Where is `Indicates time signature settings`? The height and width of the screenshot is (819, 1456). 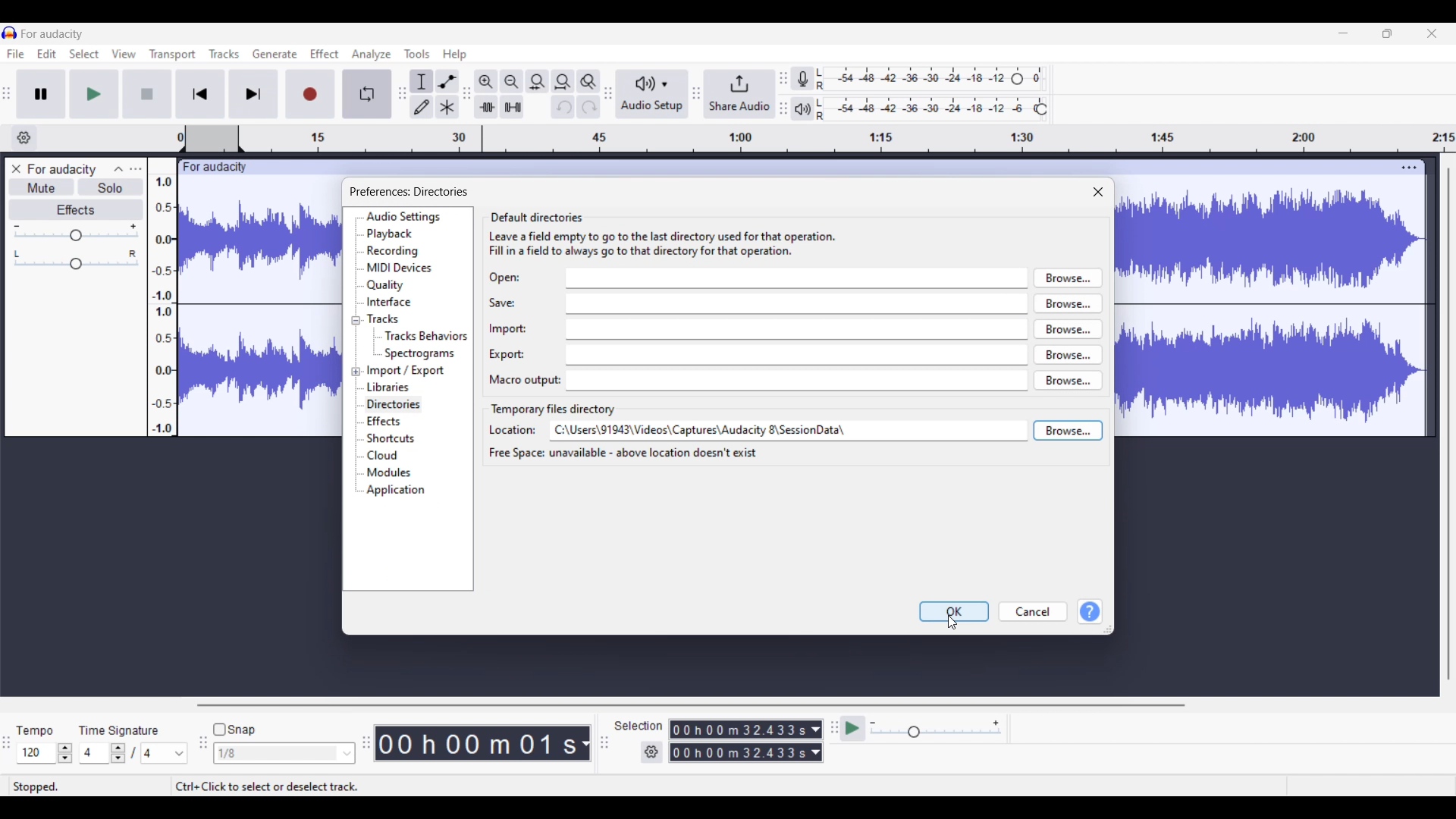
Indicates time signature settings is located at coordinates (119, 730).